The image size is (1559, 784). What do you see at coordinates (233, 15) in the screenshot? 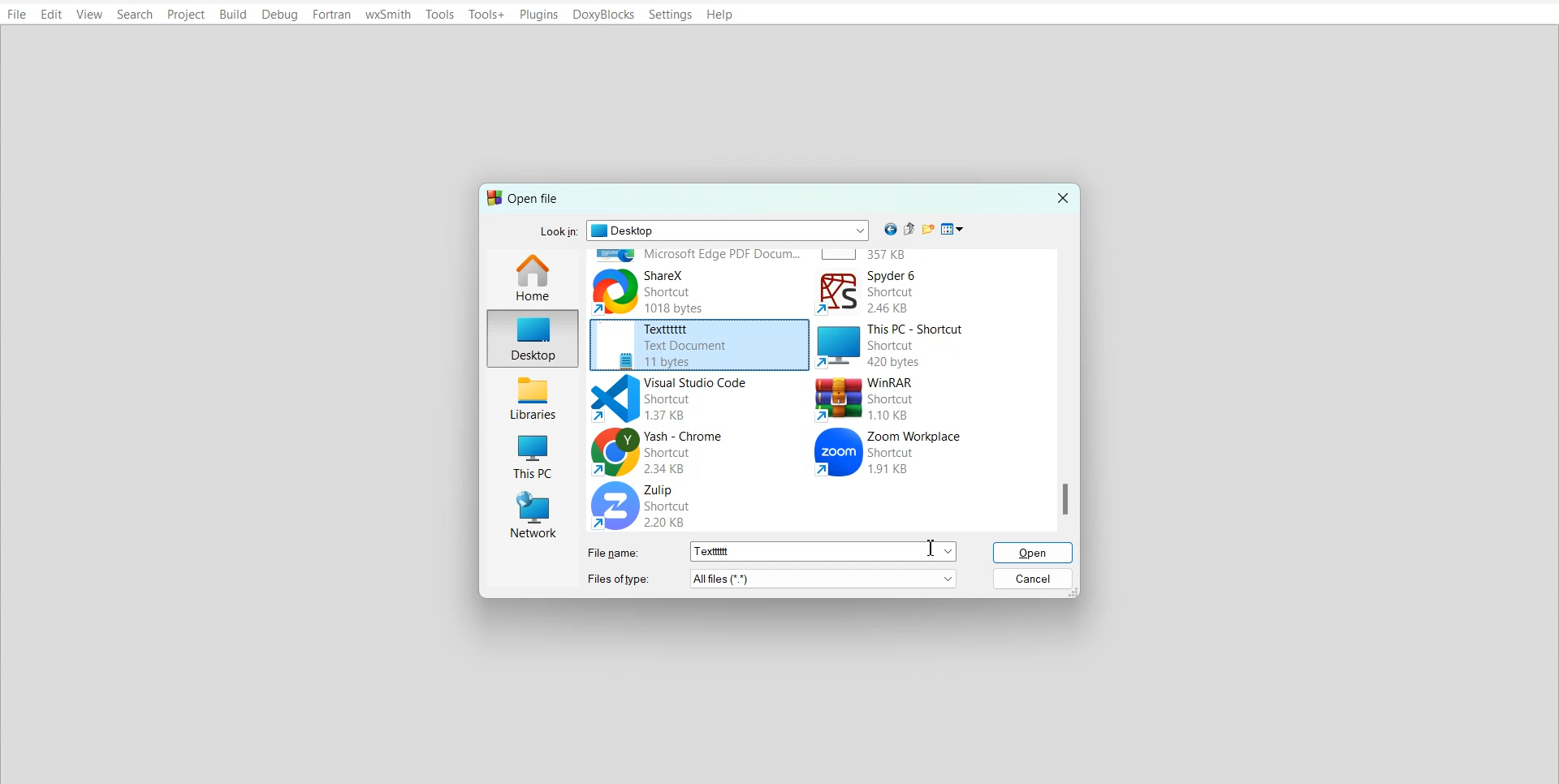
I see `Build` at bounding box center [233, 15].